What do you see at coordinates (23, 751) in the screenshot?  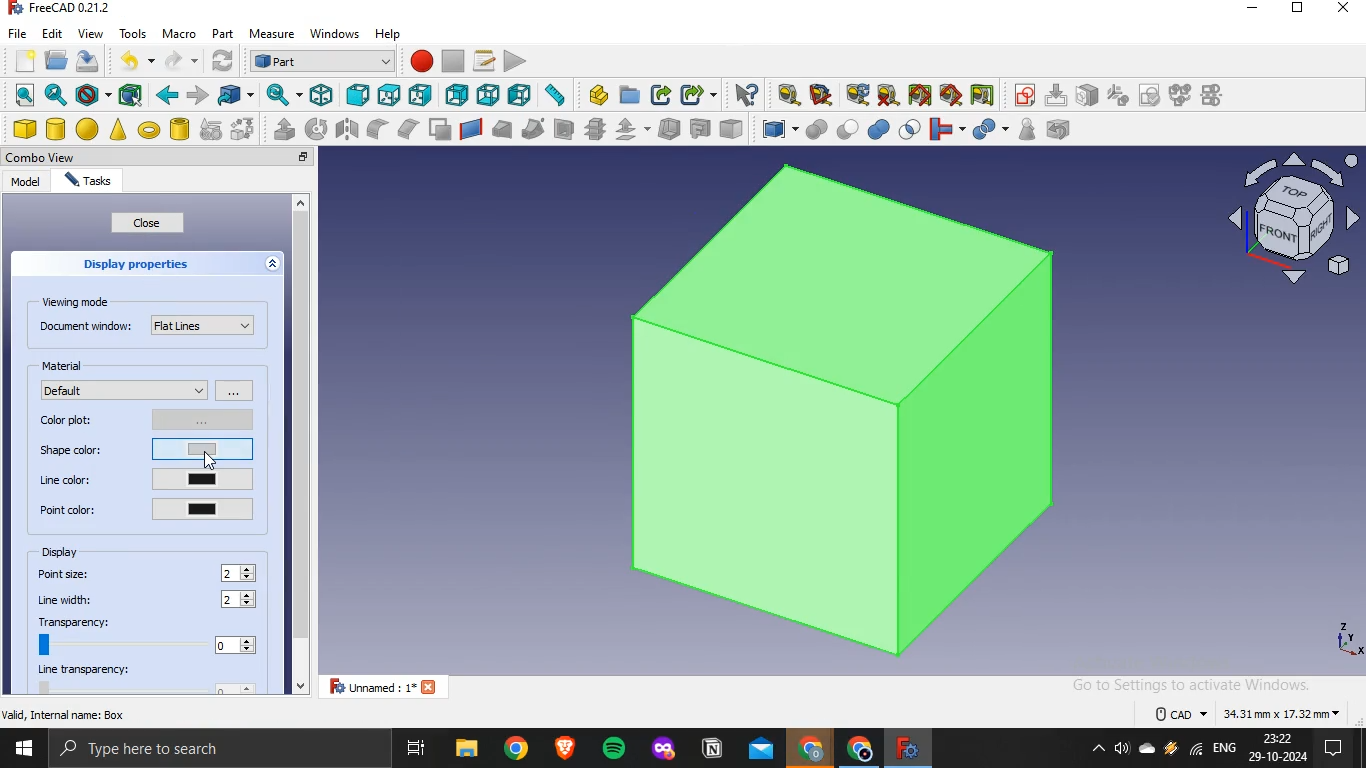 I see `start` at bounding box center [23, 751].